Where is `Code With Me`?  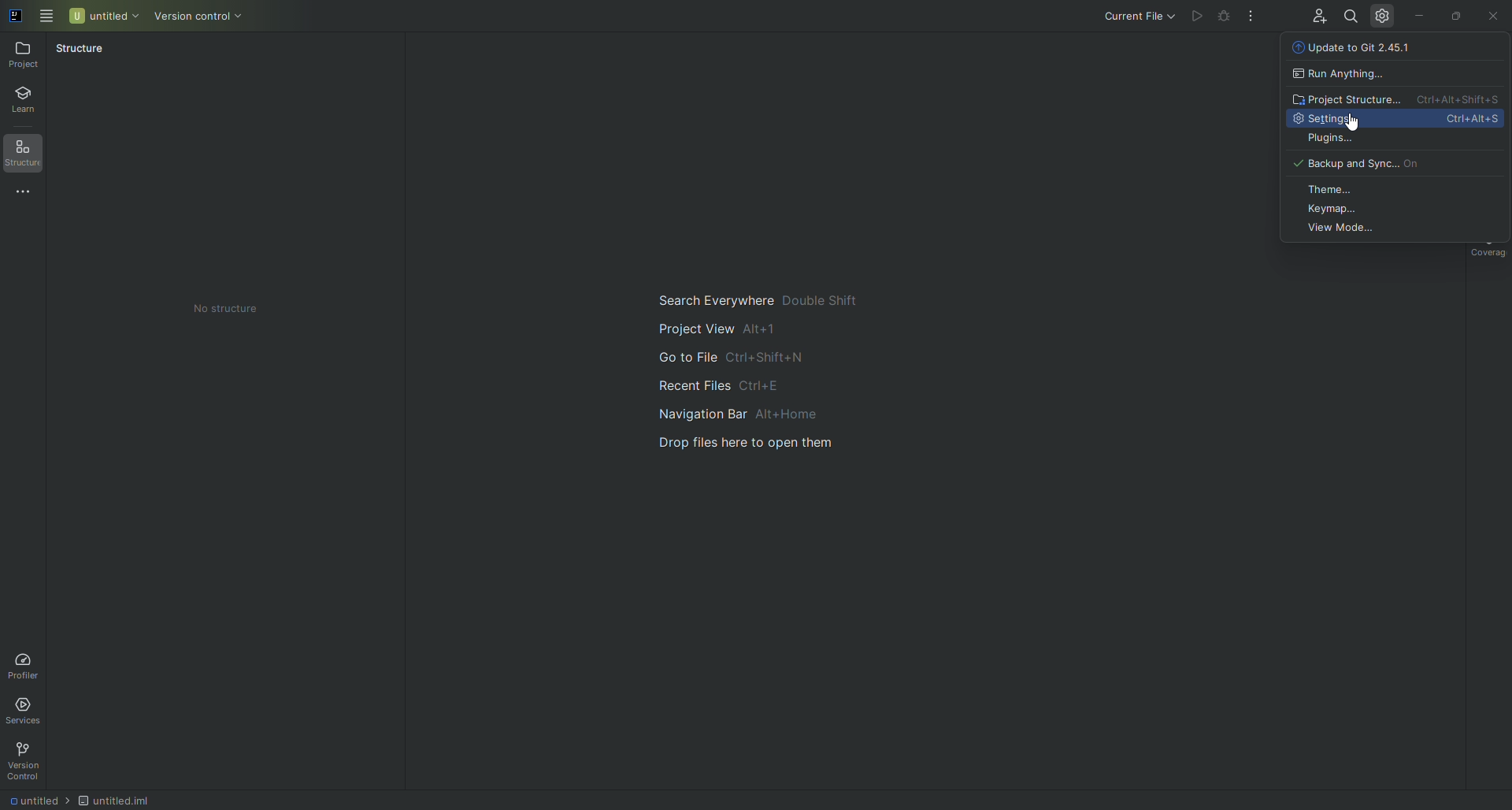
Code With Me is located at coordinates (1316, 13).